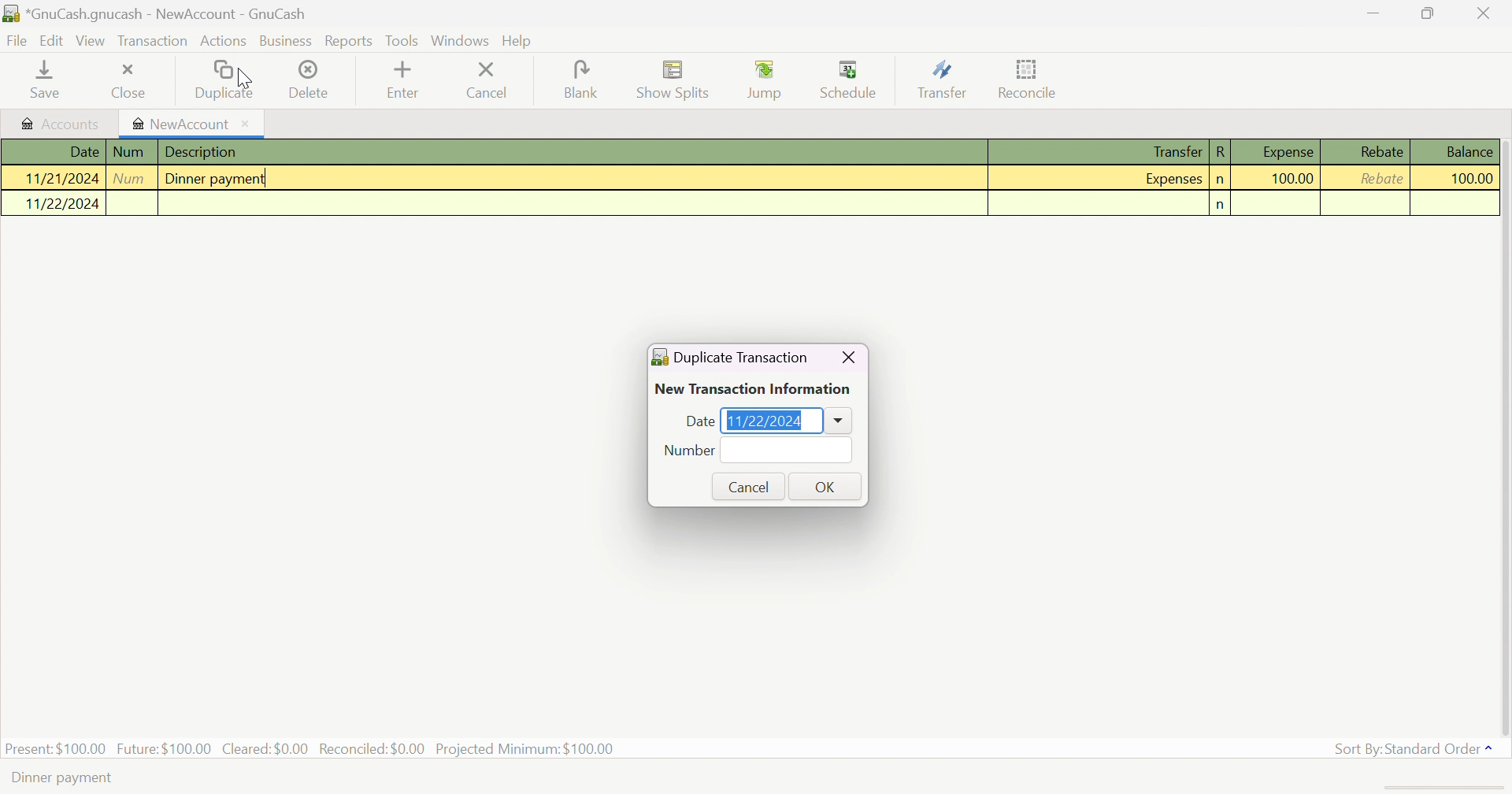 This screenshot has height=794, width=1512. What do you see at coordinates (216, 177) in the screenshot?
I see `Dinner payment` at bounding box center [216, 177].